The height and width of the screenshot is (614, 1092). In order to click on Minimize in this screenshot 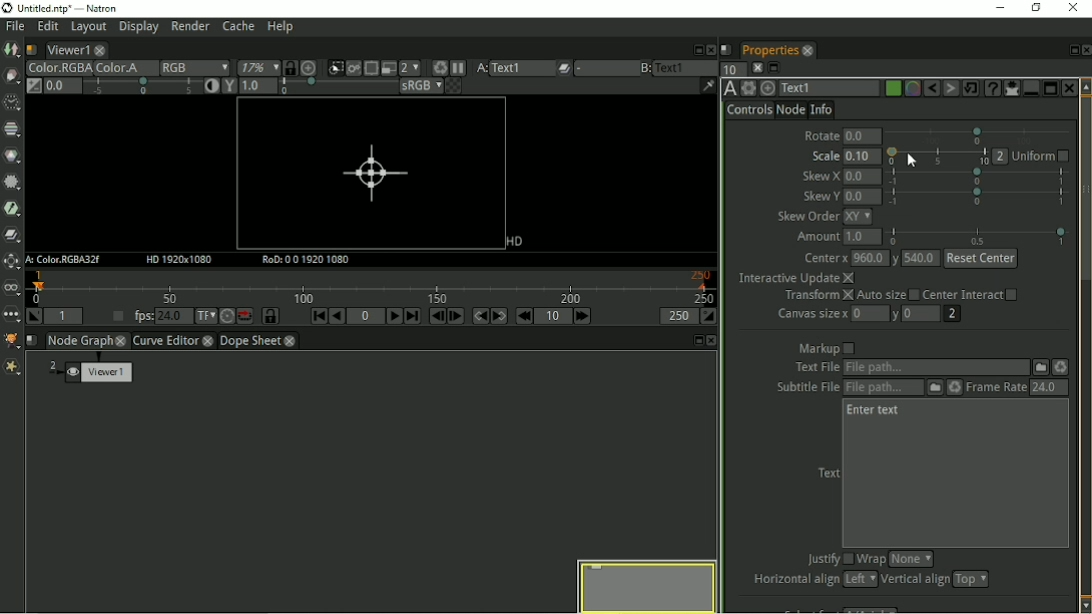, I will do `click(999, 8)`.